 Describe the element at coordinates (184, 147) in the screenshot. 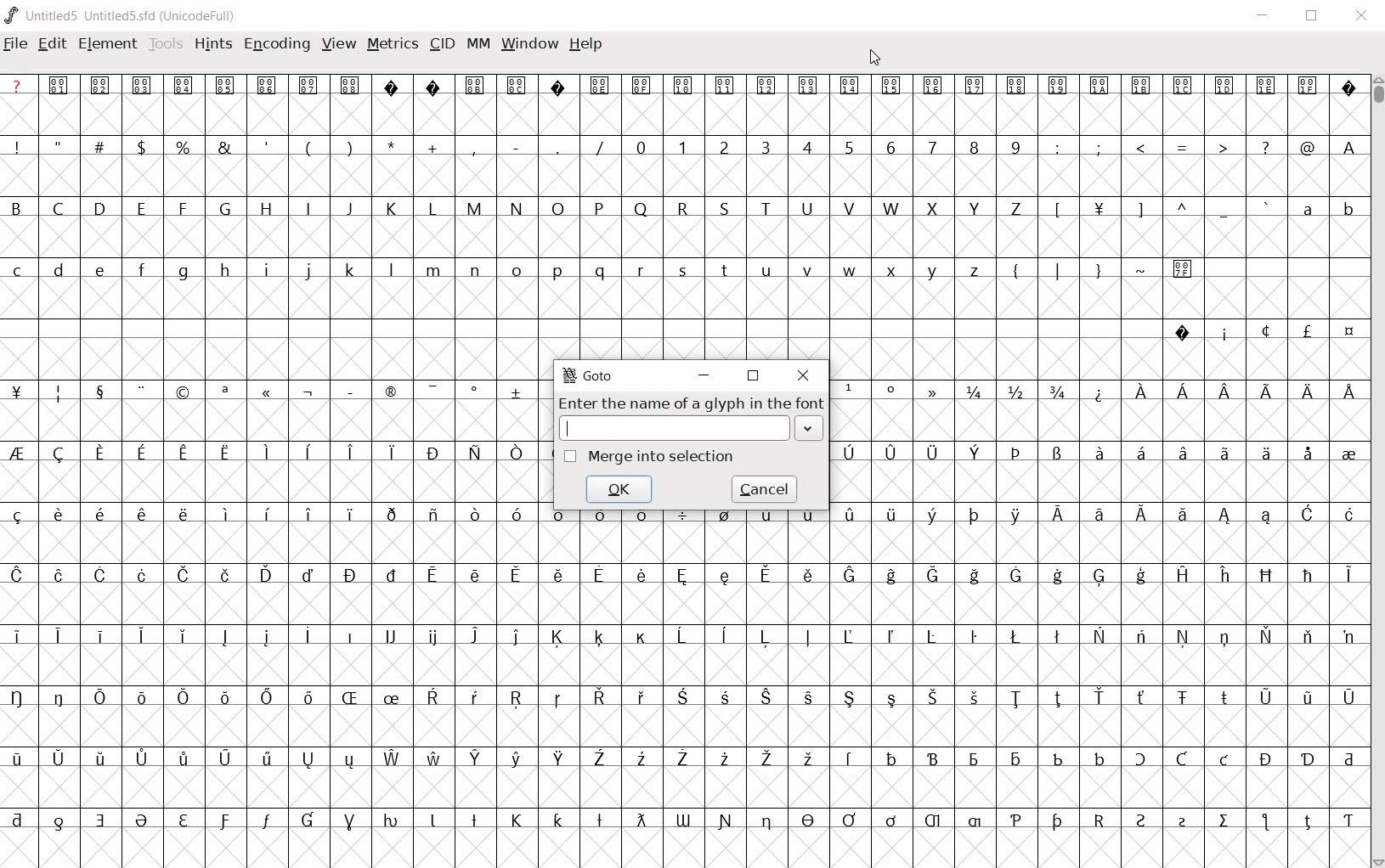

I see `%` at that location.